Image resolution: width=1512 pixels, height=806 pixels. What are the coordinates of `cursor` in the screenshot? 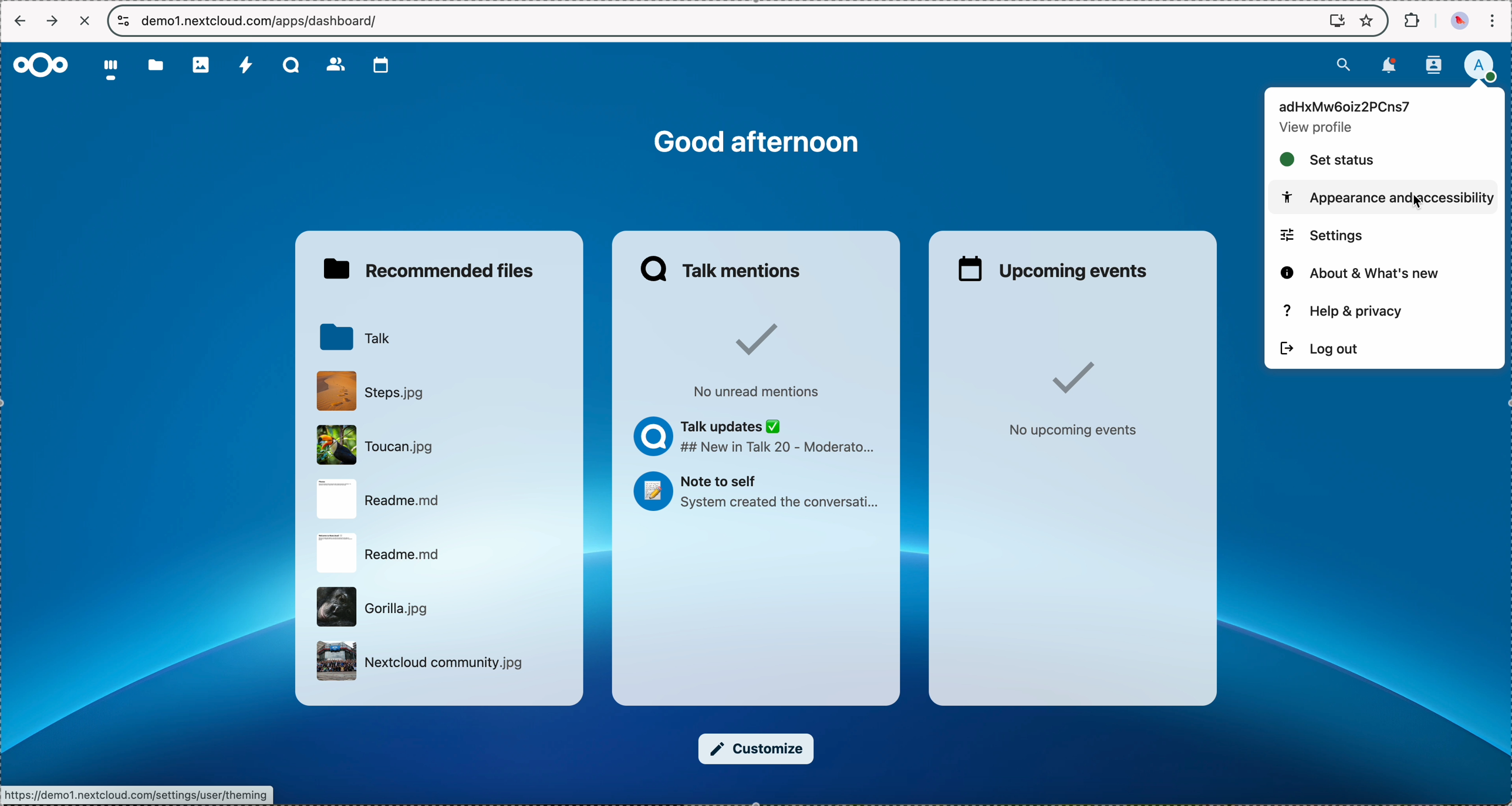 It's located at (1423, 205).